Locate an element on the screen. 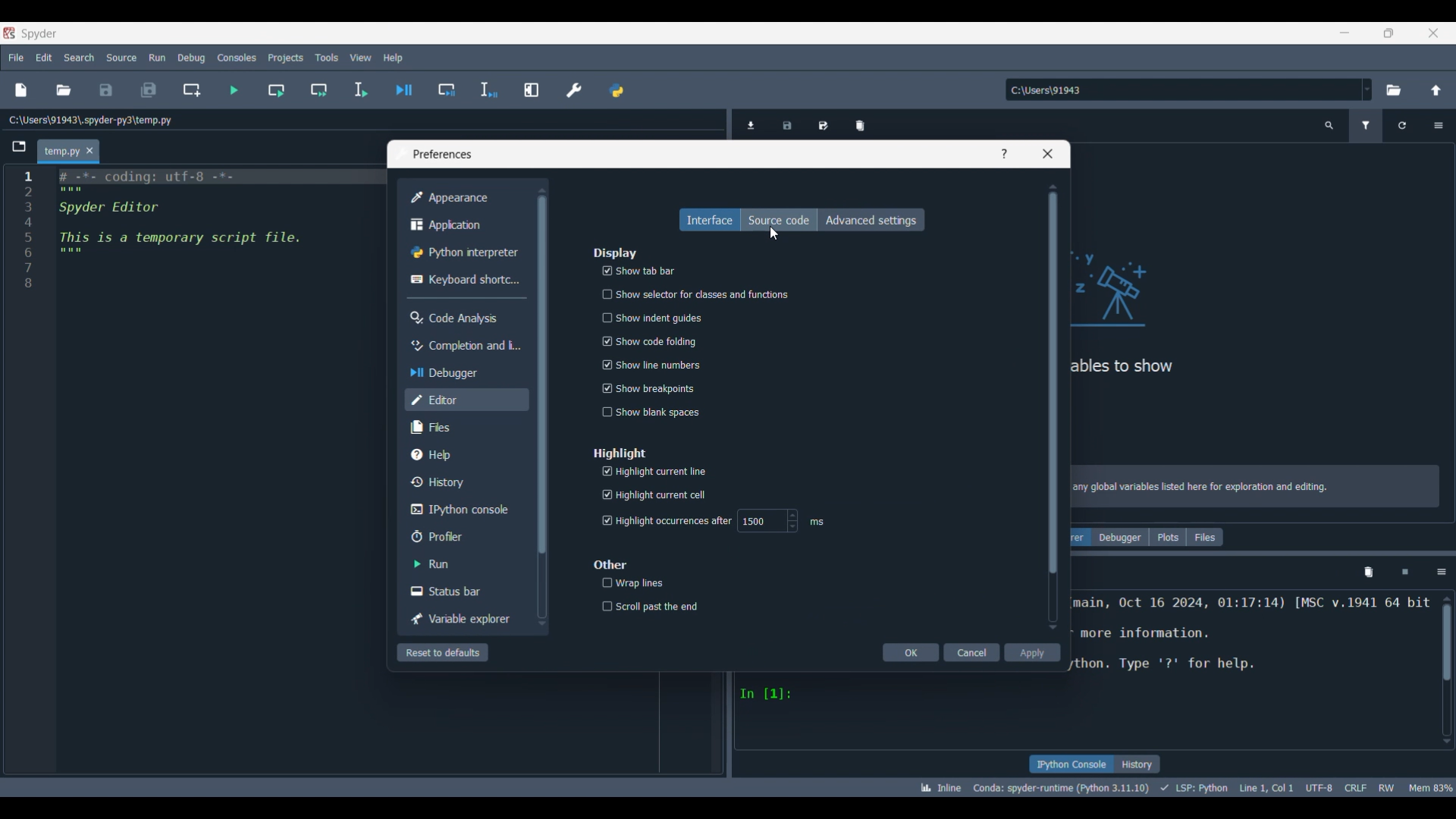 This screenshot has height=819, width=1456. Code details is located at coordinates (1186, 788).